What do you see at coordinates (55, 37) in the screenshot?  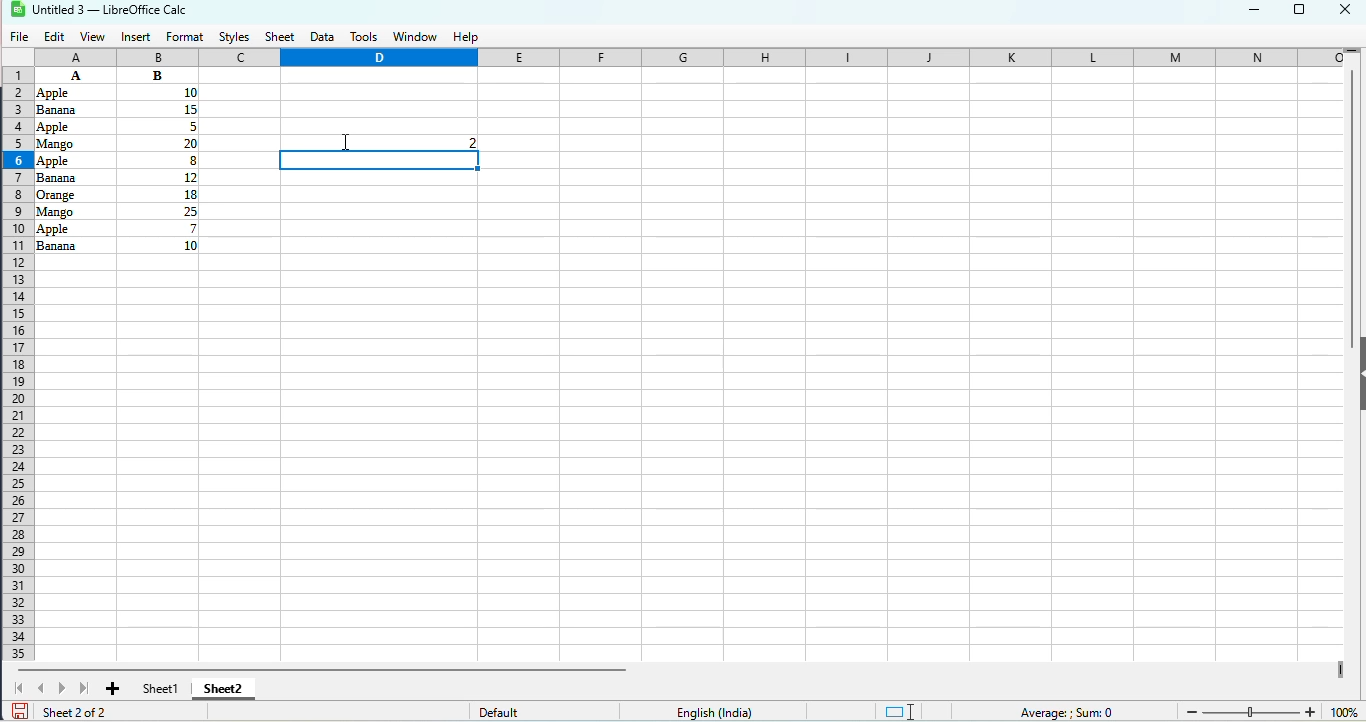 I see `edit` at bounding box center [55, 37].